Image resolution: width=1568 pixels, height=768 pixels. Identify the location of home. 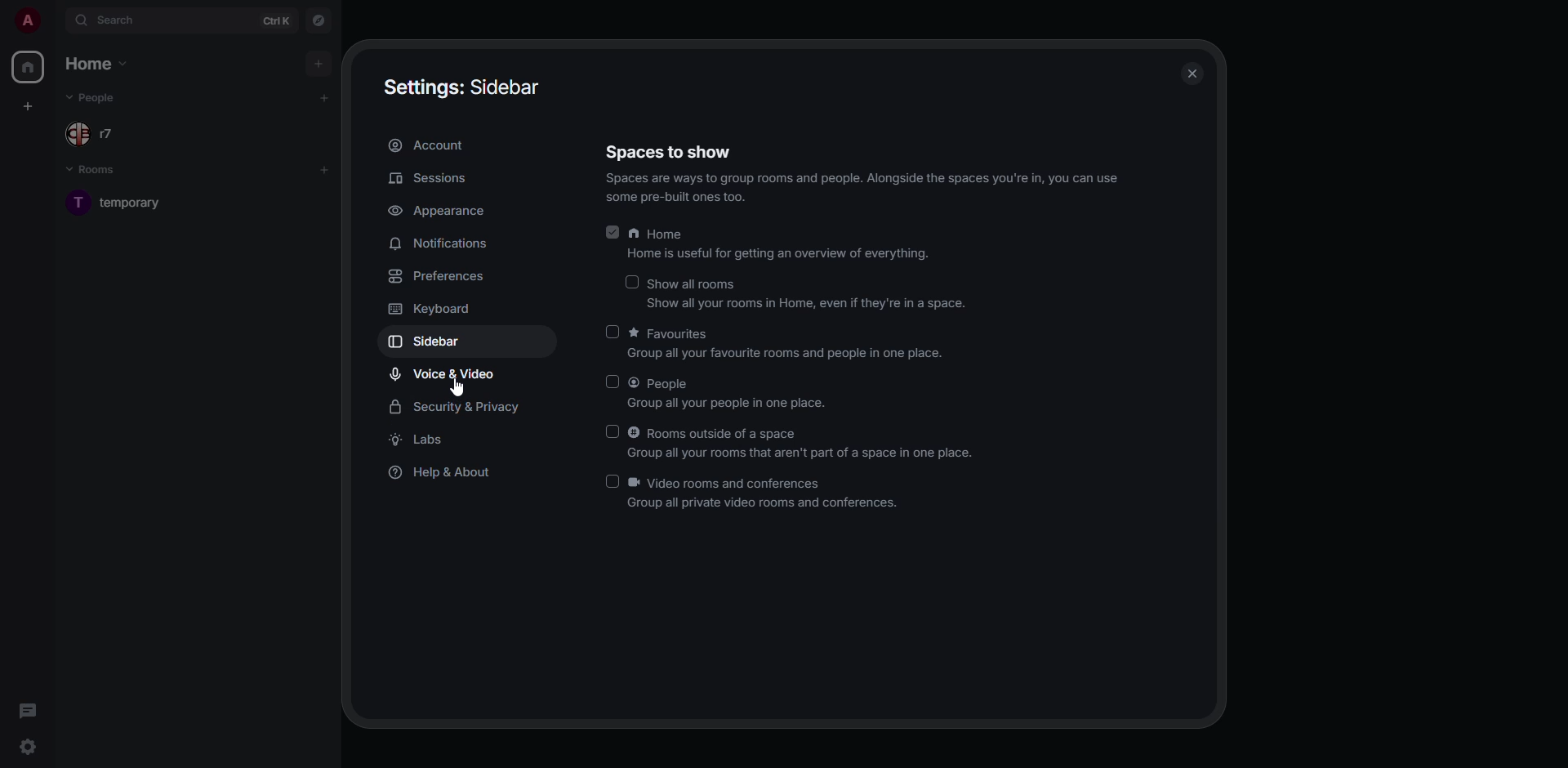
(697, 233).